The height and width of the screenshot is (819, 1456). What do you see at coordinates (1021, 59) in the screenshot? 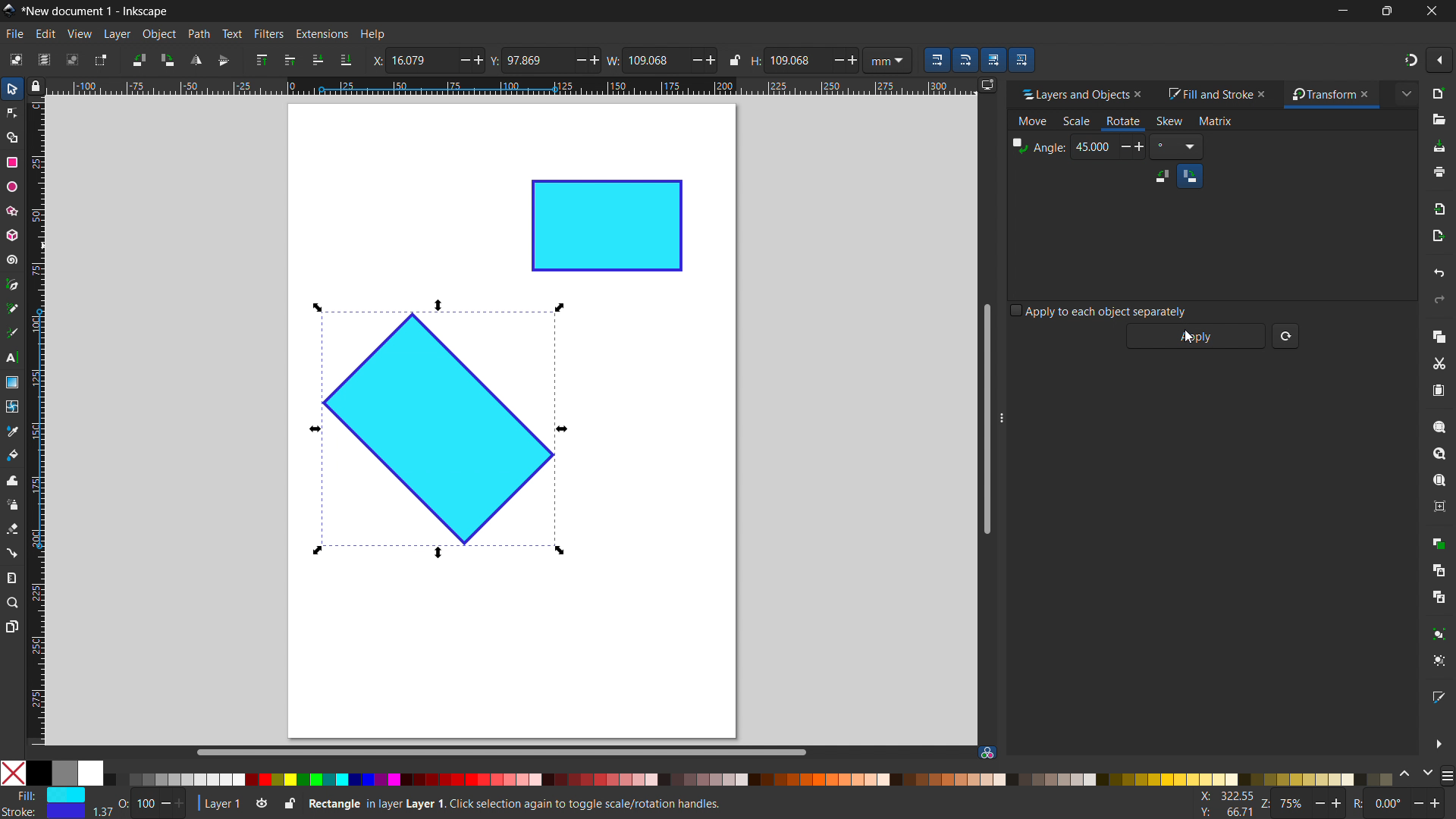
I see `move patterns along with the objects` at bounding box center [1021, 59].